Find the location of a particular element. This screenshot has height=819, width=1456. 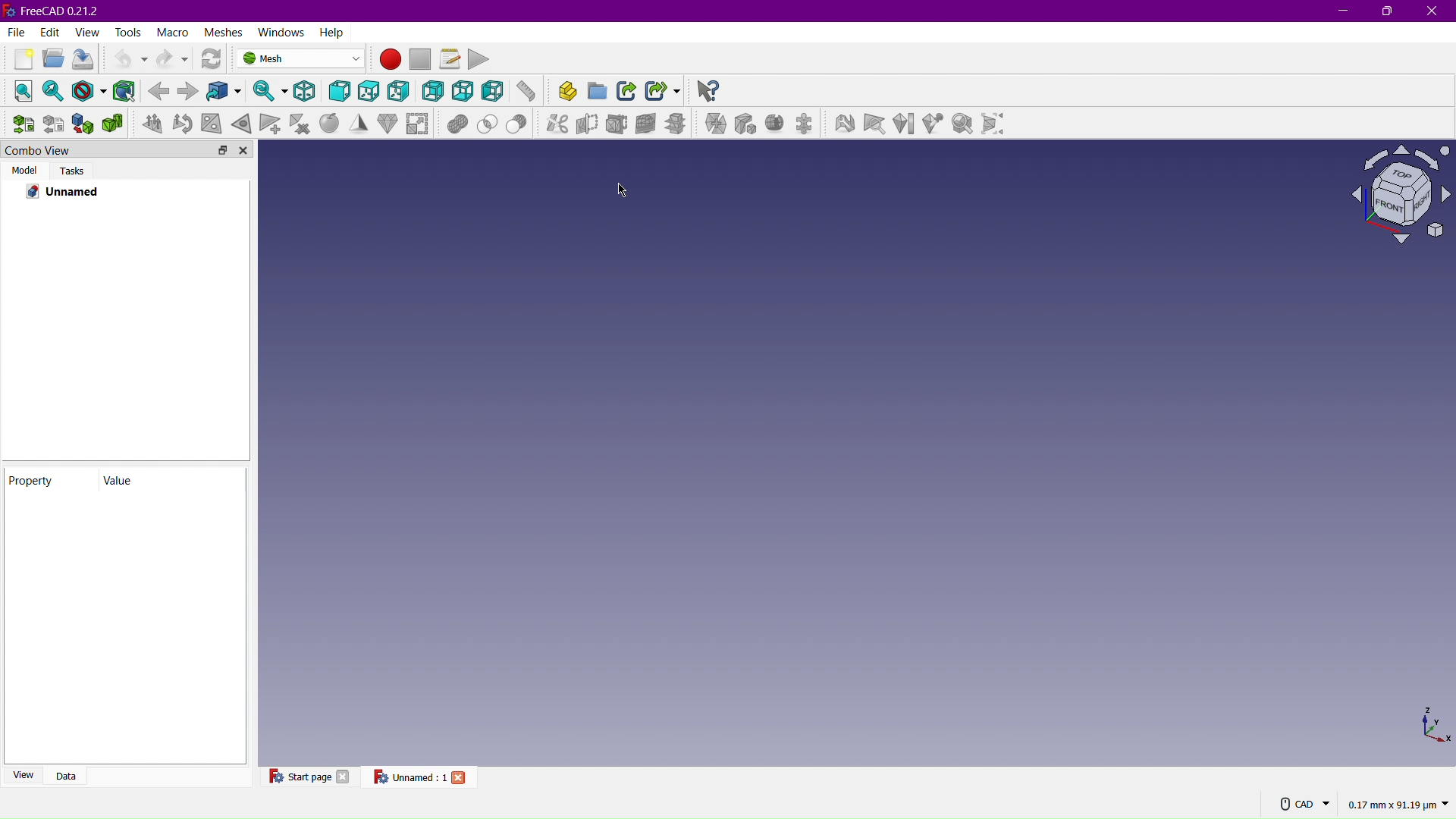

Cut mesh is located at coordinates (555, 123).